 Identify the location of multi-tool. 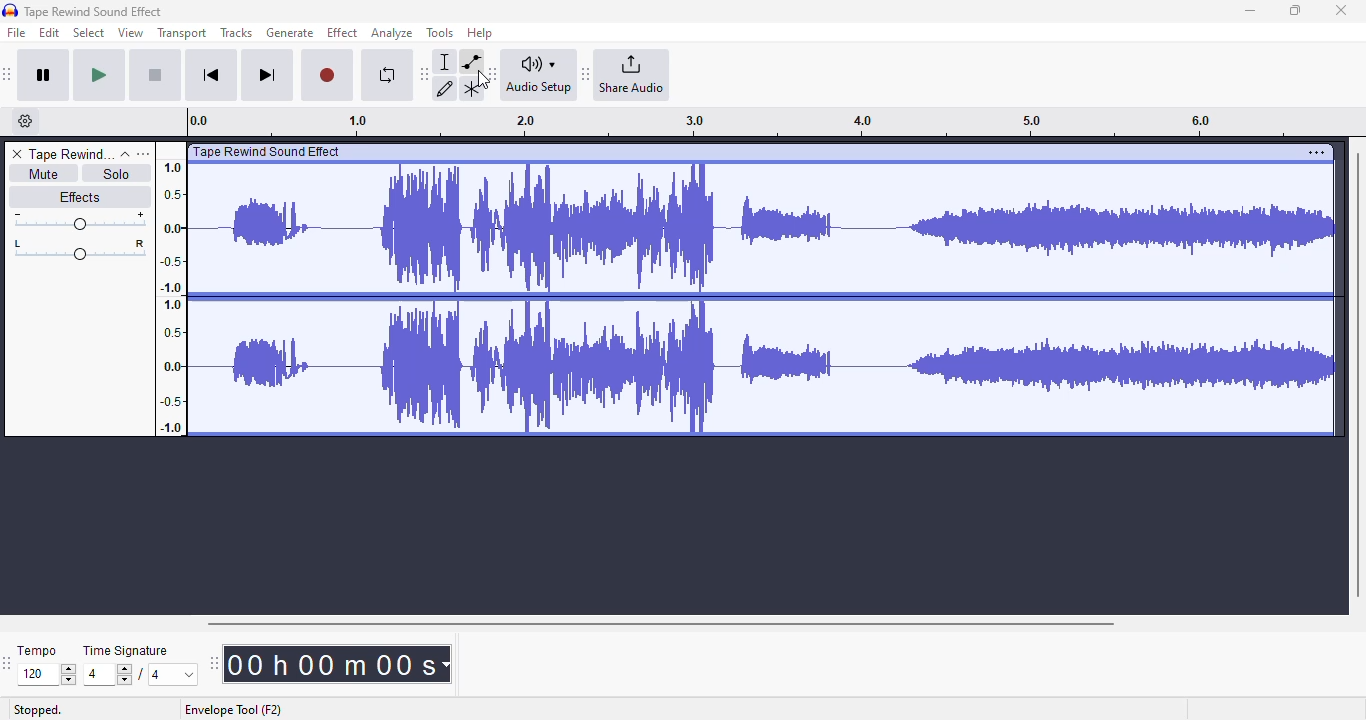
(471, 89).